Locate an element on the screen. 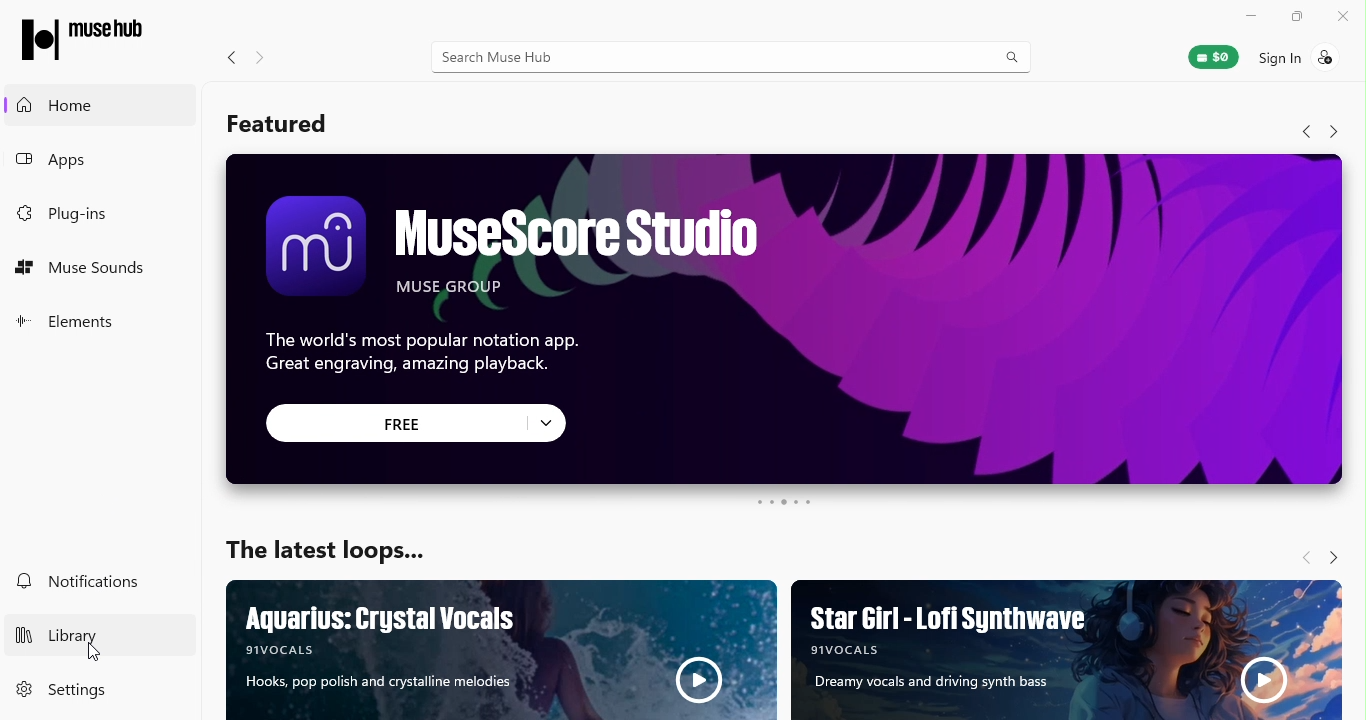 Image resolution: width=1366 pixels, height=720 pixels. Muse Hub Logo is located at coordinates (87, 33).